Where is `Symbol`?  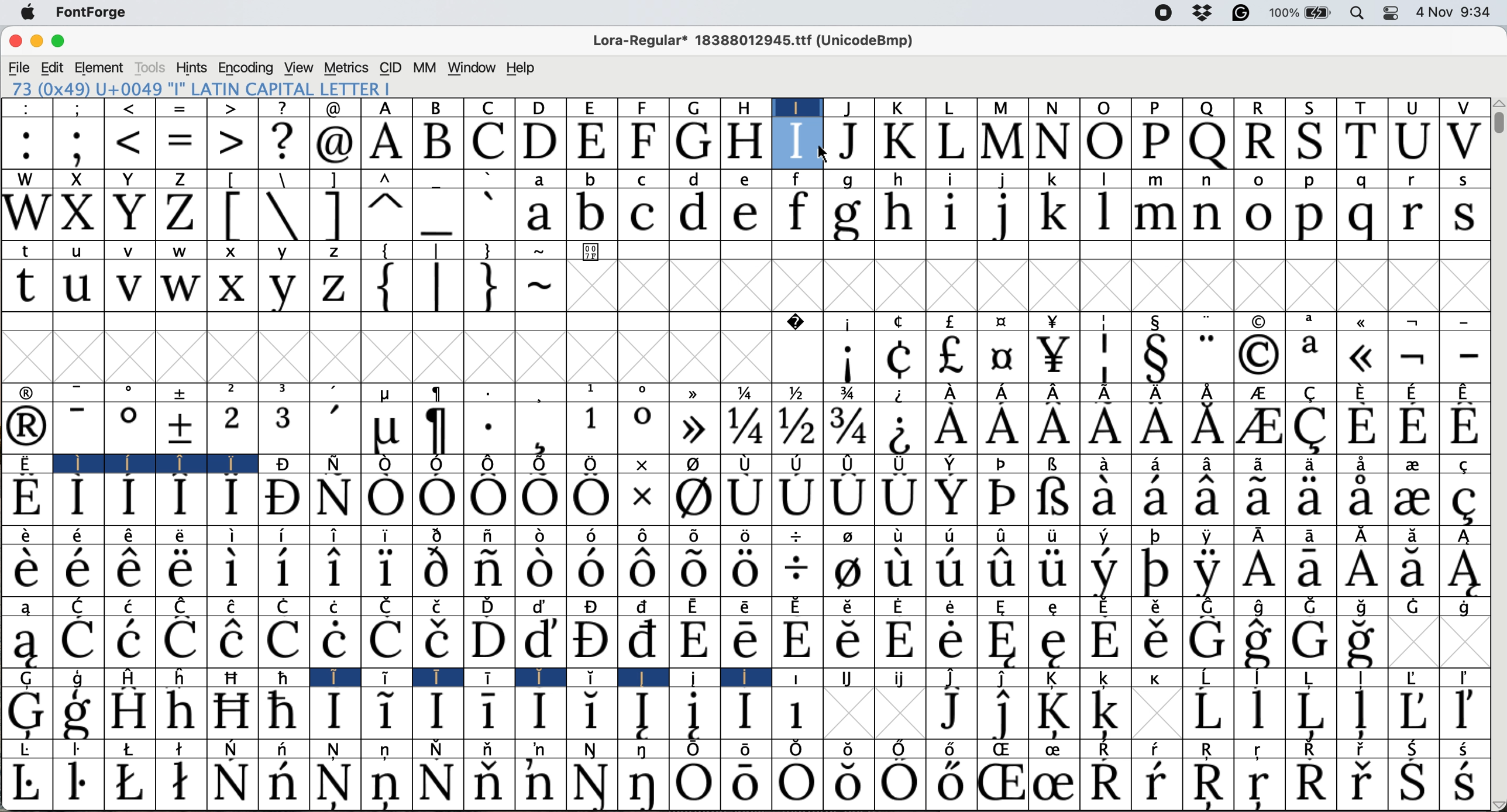 Symbol is located at coordinates (1107, 713).